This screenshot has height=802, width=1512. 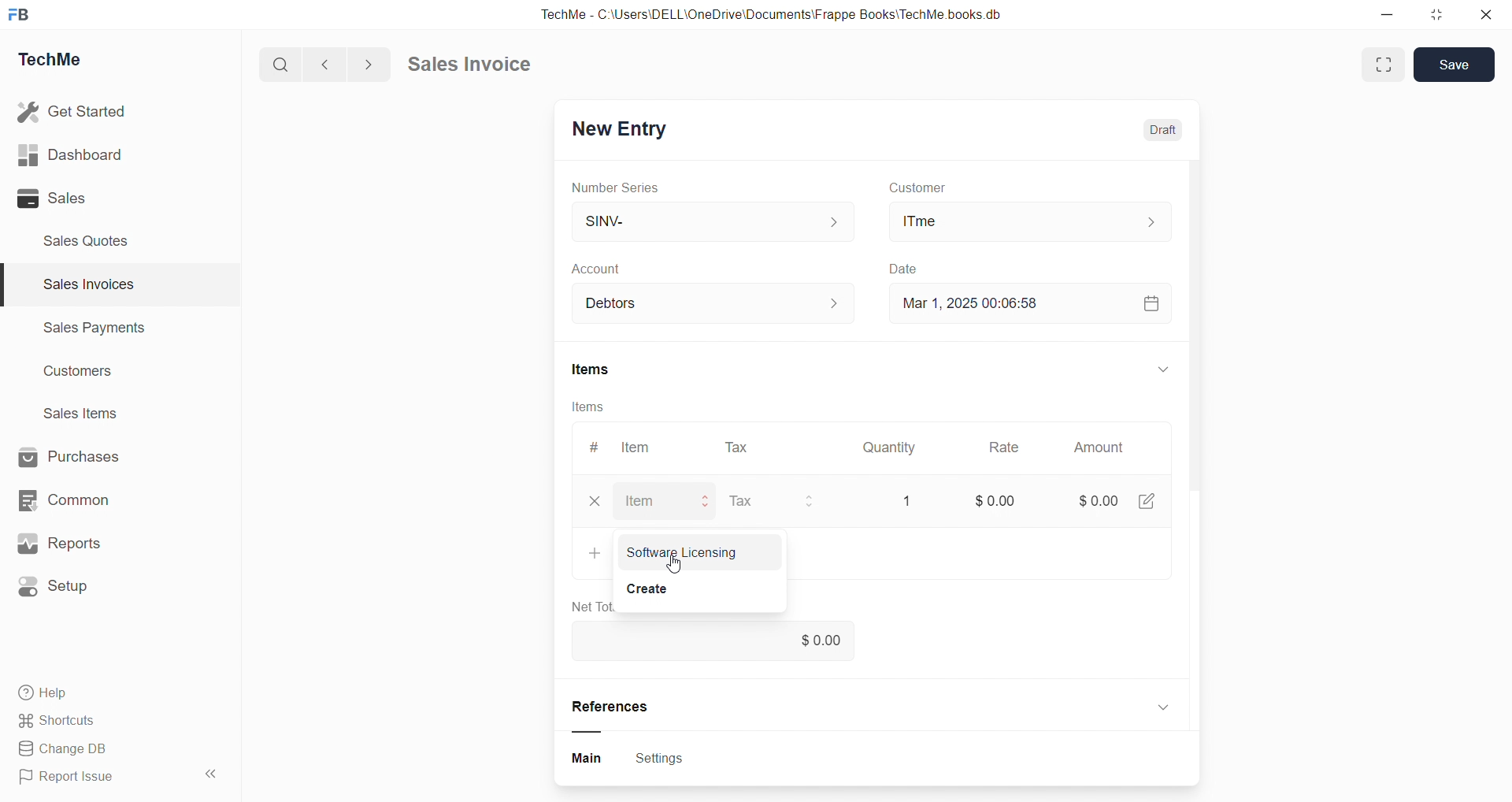 What do you see at coordinates (1161, 366) in the screenshot?
I see `doopdown` at bounding box center [1161, 366].